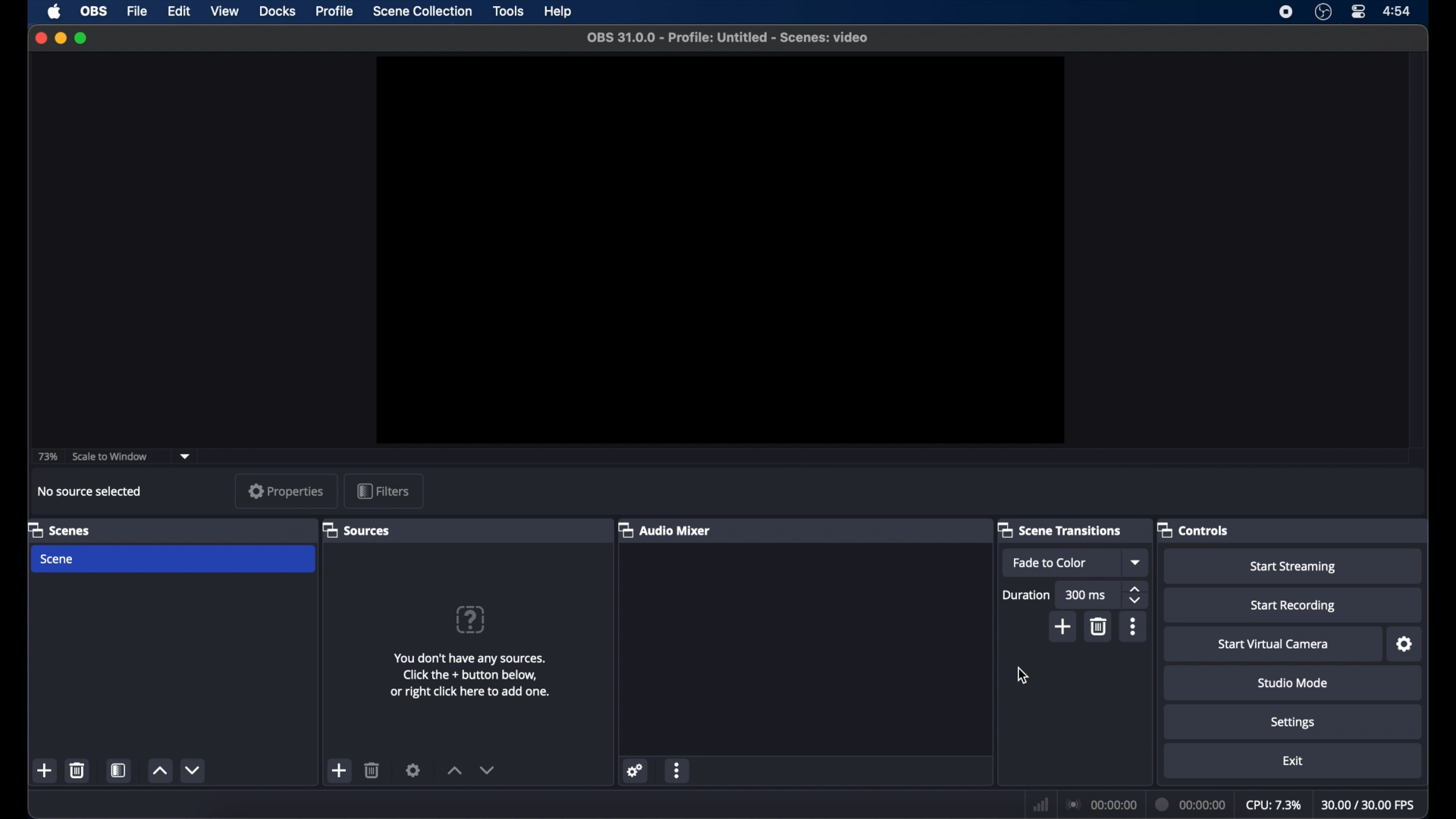  Describe the element at coordinates (192, 770) in the screenshot. I see `decrement` at that location.